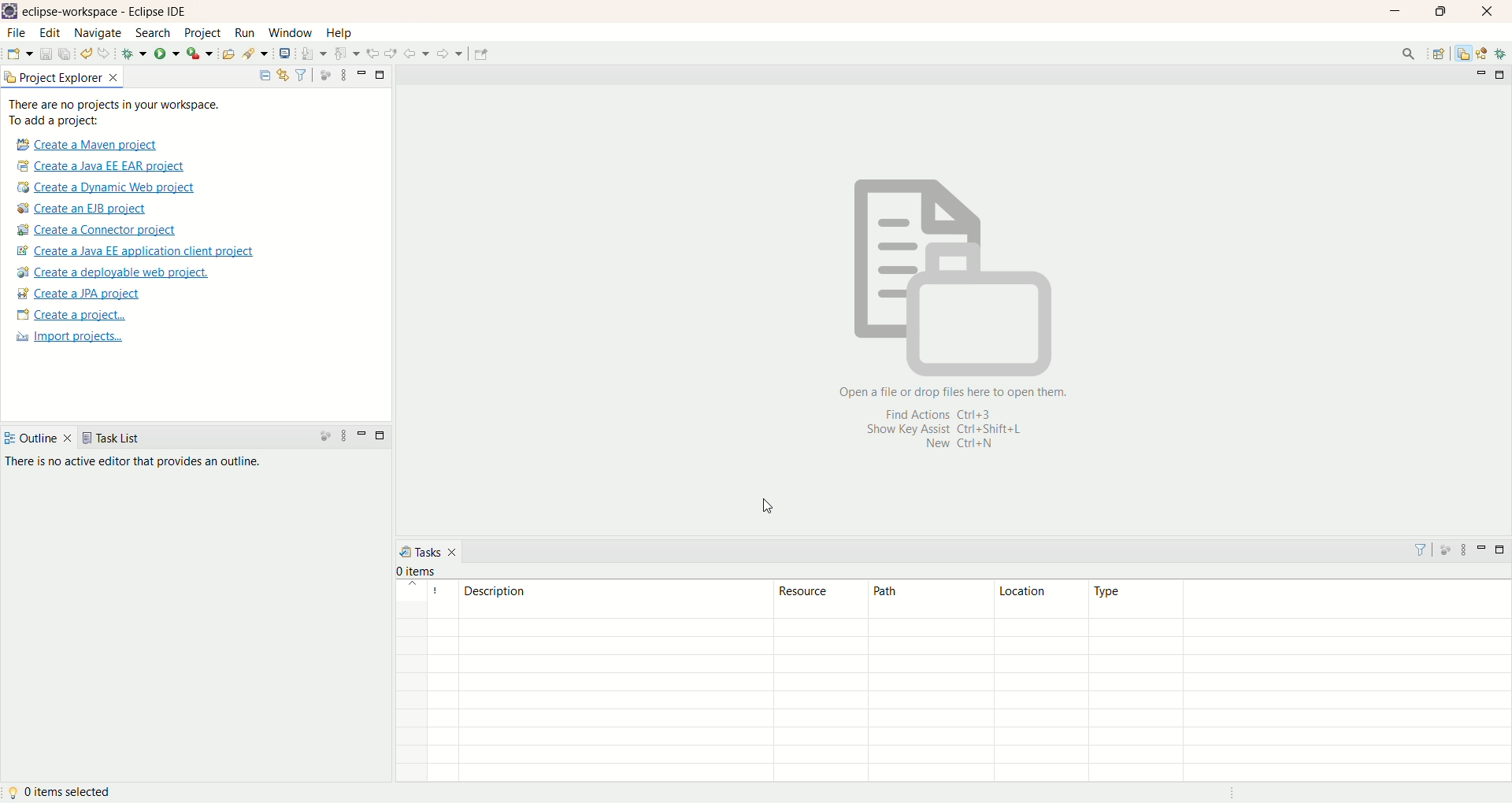  What do you see at coordinates (363, 435) in the screenshot?
I see `minimize` at bounding box center [363, 435].